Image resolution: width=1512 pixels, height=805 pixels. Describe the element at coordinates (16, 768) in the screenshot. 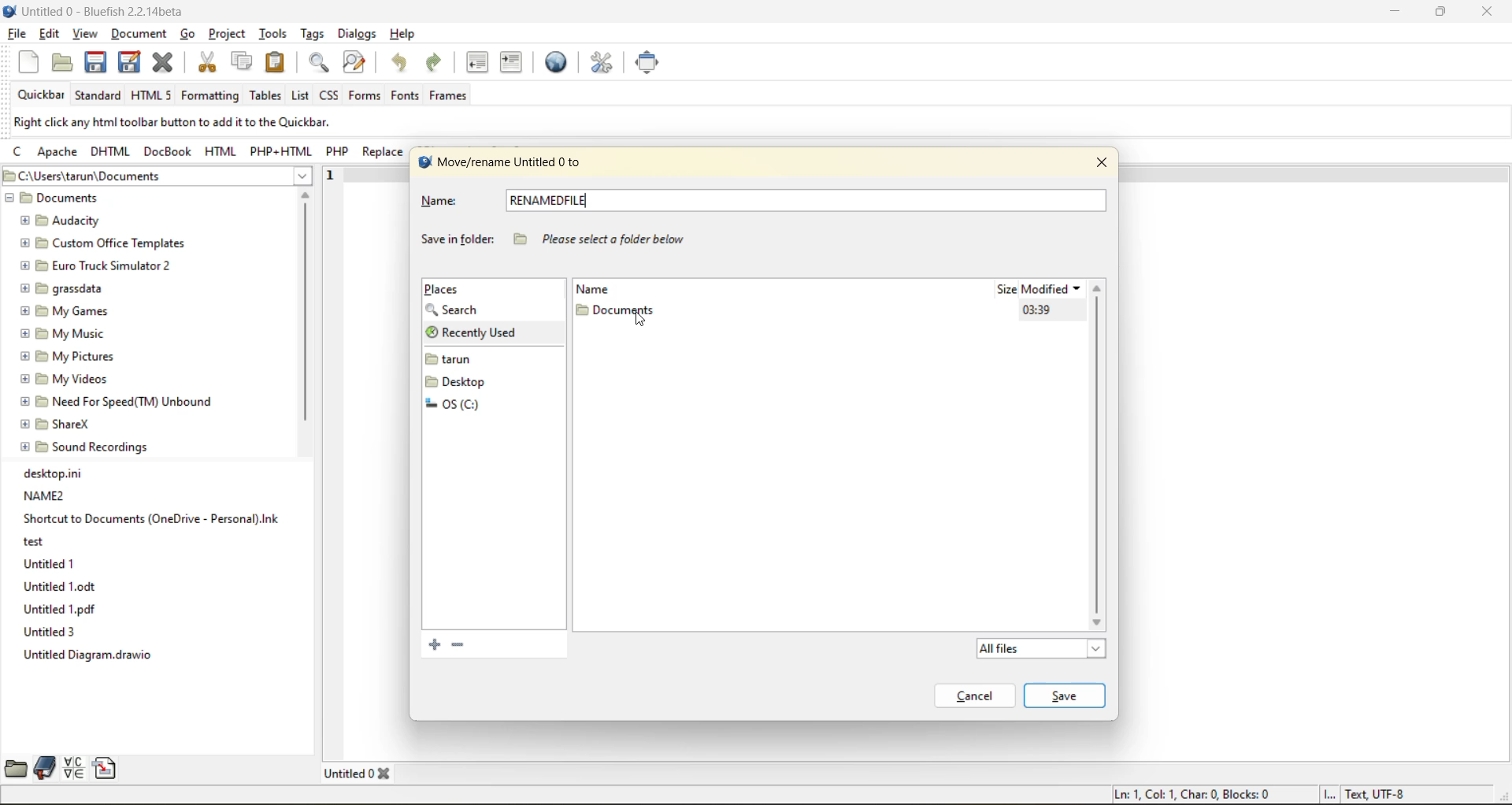

I see `file browser` at that location.